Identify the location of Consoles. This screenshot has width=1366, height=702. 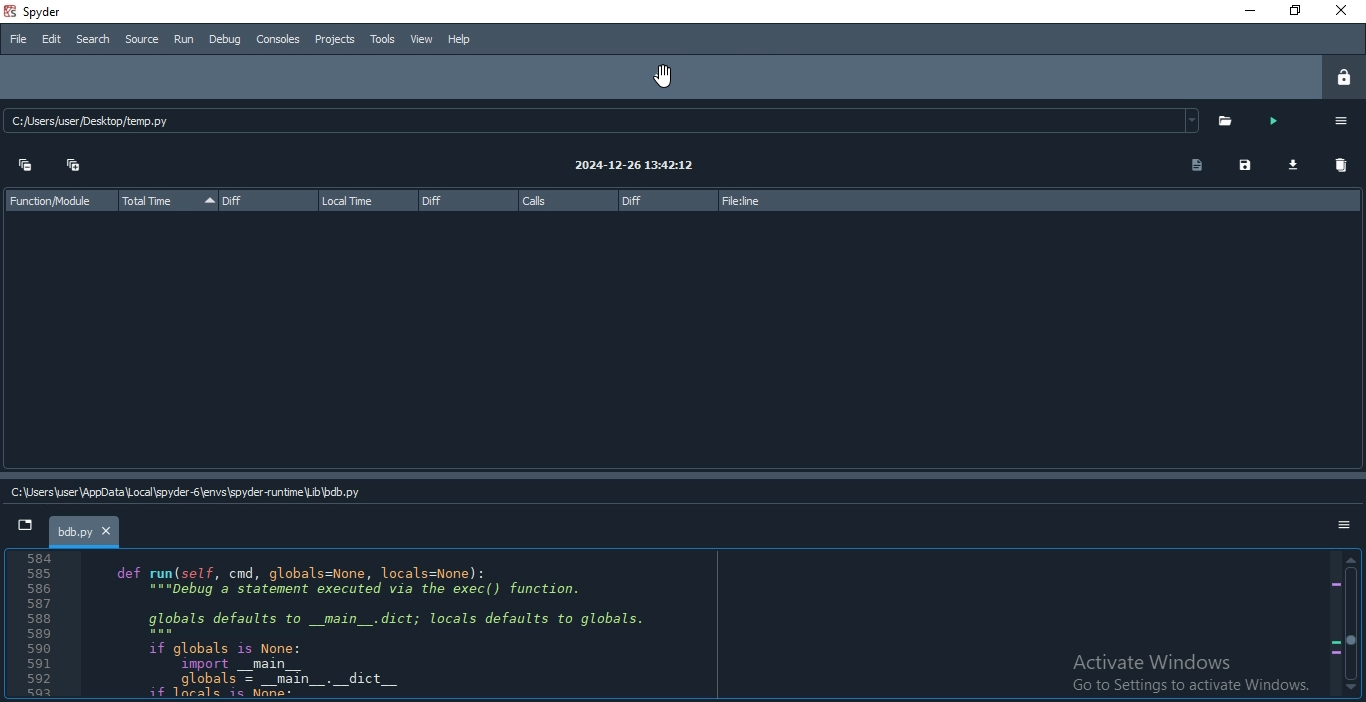
(277, 39).